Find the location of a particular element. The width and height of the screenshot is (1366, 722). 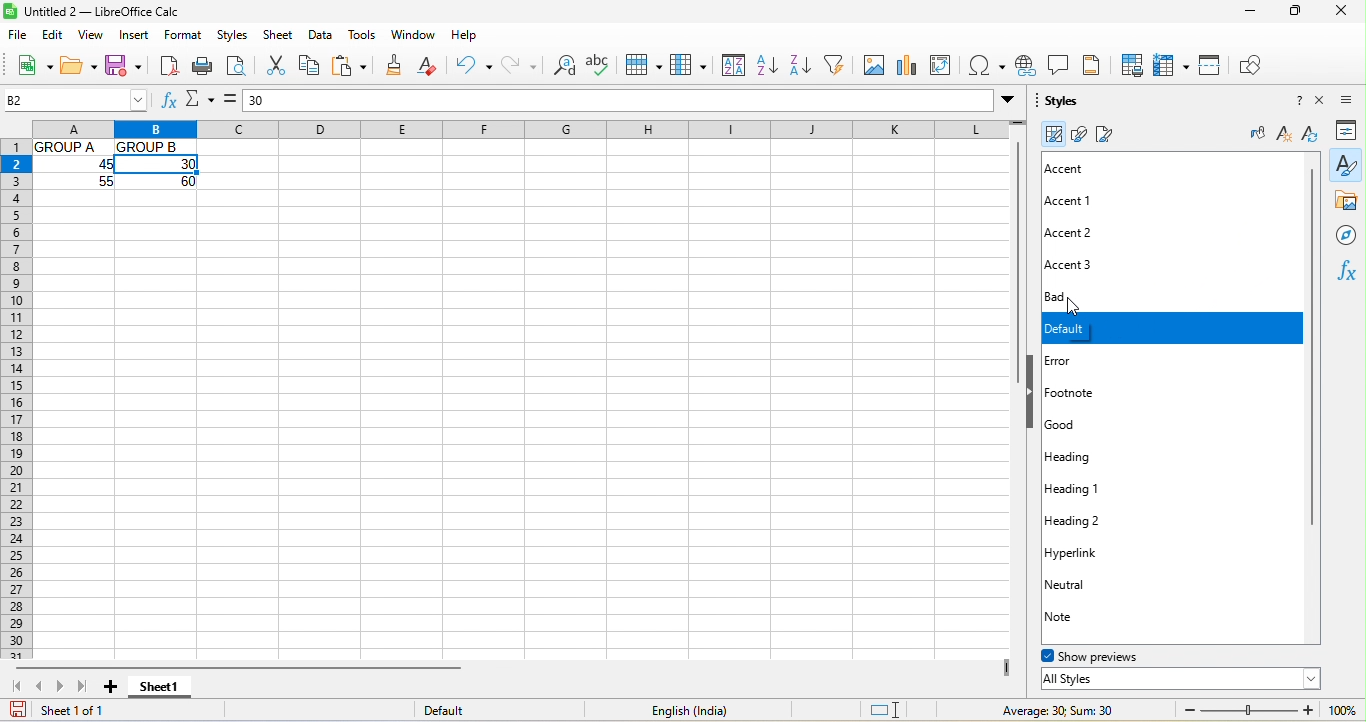

format is located at coordinates (185, 36).